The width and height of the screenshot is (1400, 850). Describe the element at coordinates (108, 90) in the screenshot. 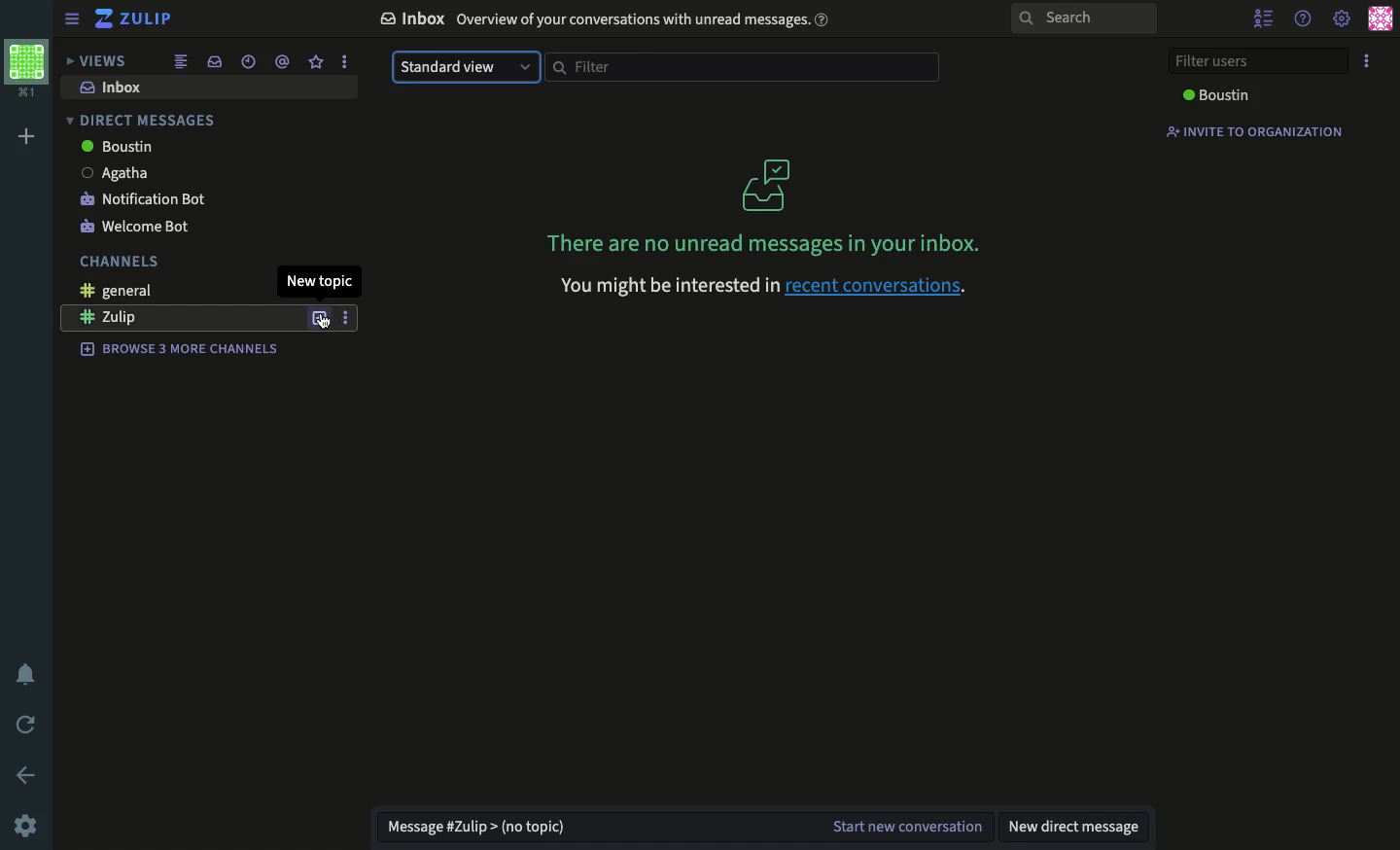

I see `inbox` at that location.